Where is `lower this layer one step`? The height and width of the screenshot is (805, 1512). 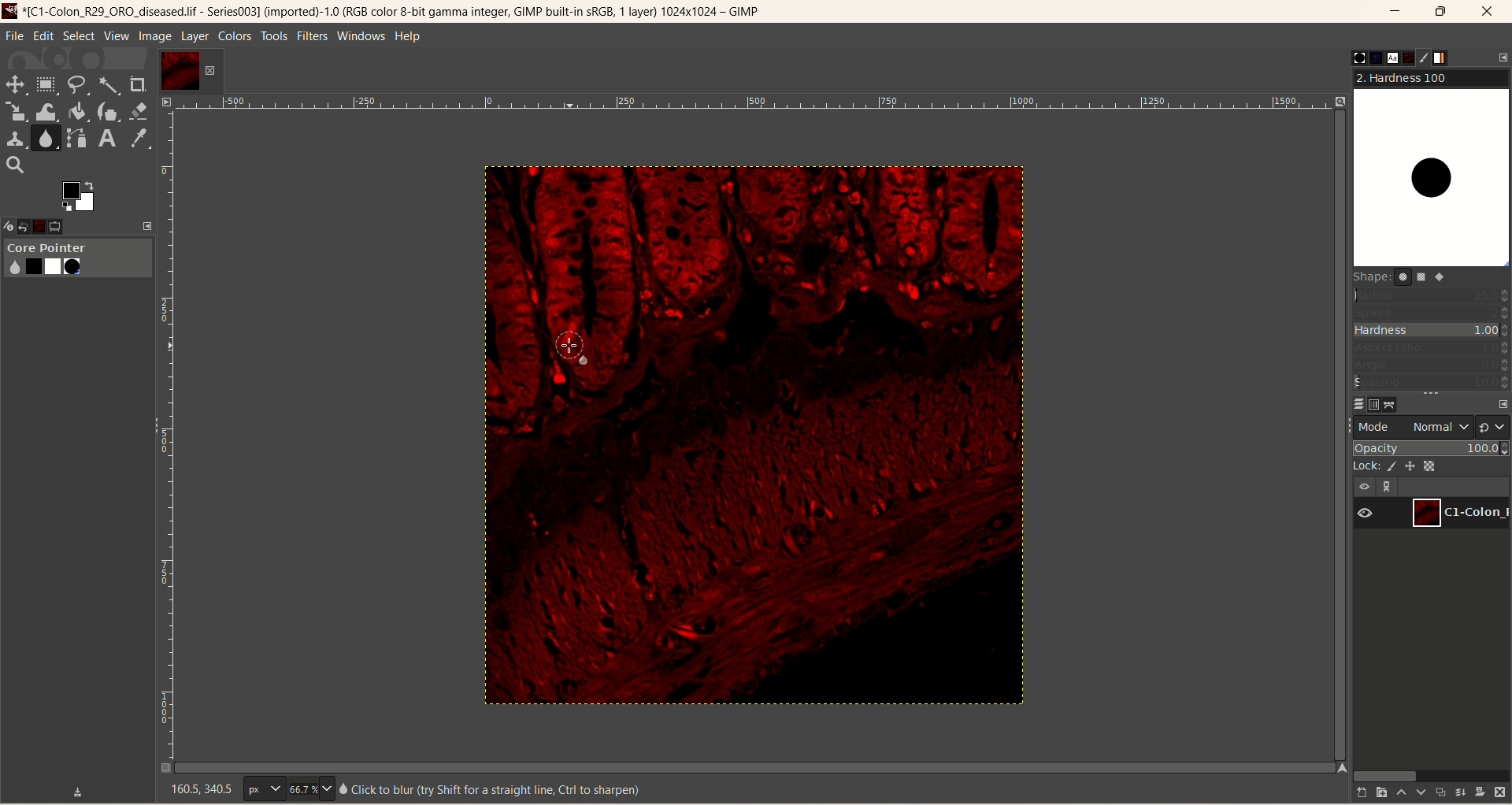 lower this layer one step is located at coordinates (1418, 794).